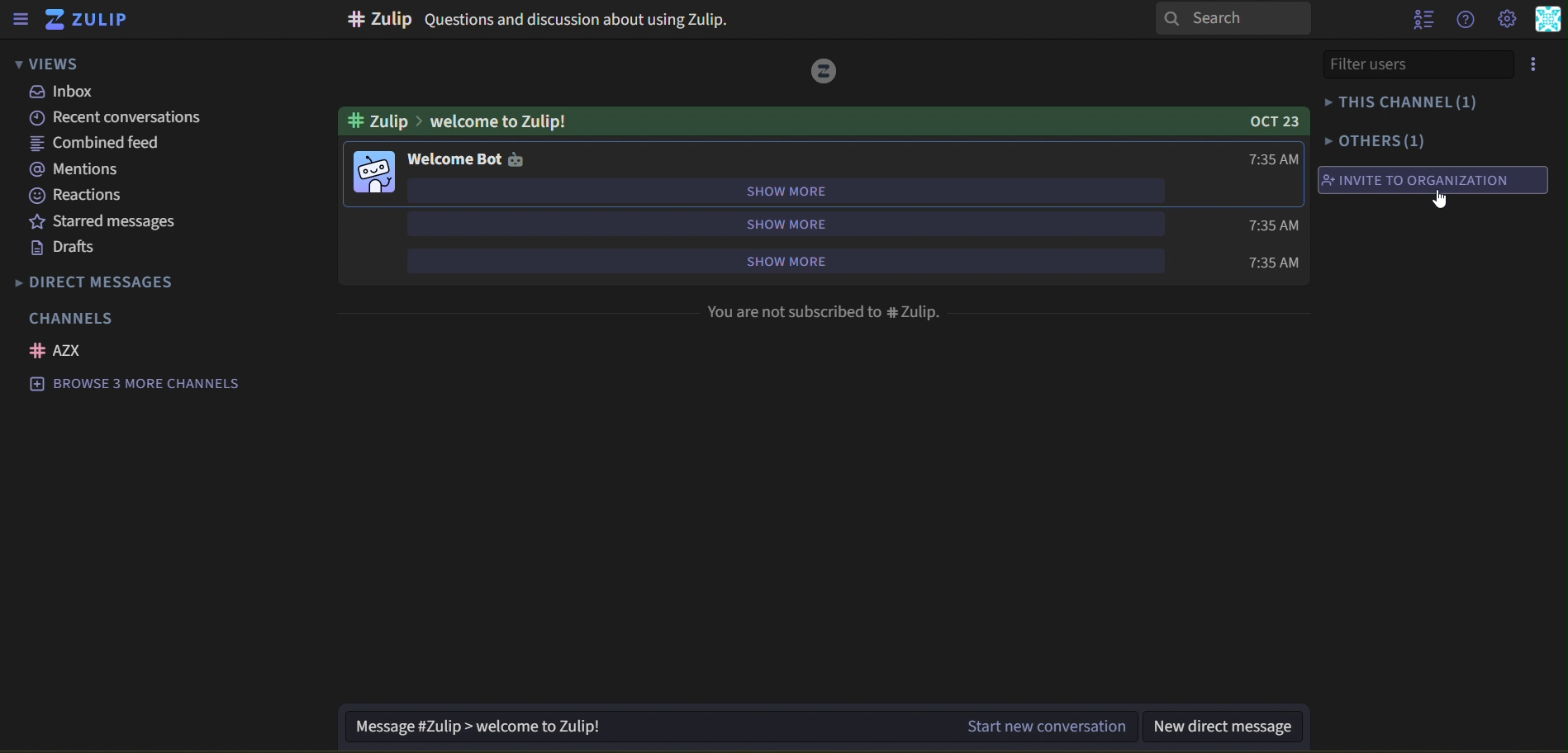 The width and height of the screenshot is (1568, 753). Describe the element at coordinates (121, 117) in the screenshot. I see `recent conversations` at that location.